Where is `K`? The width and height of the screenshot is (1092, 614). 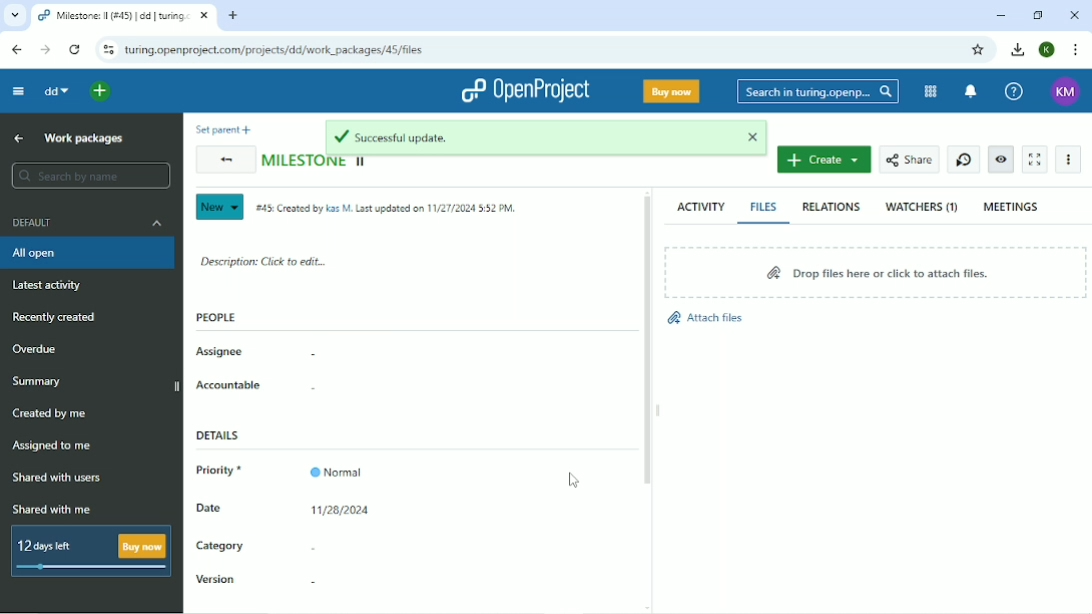 K is located at coordinates (1048, 50).